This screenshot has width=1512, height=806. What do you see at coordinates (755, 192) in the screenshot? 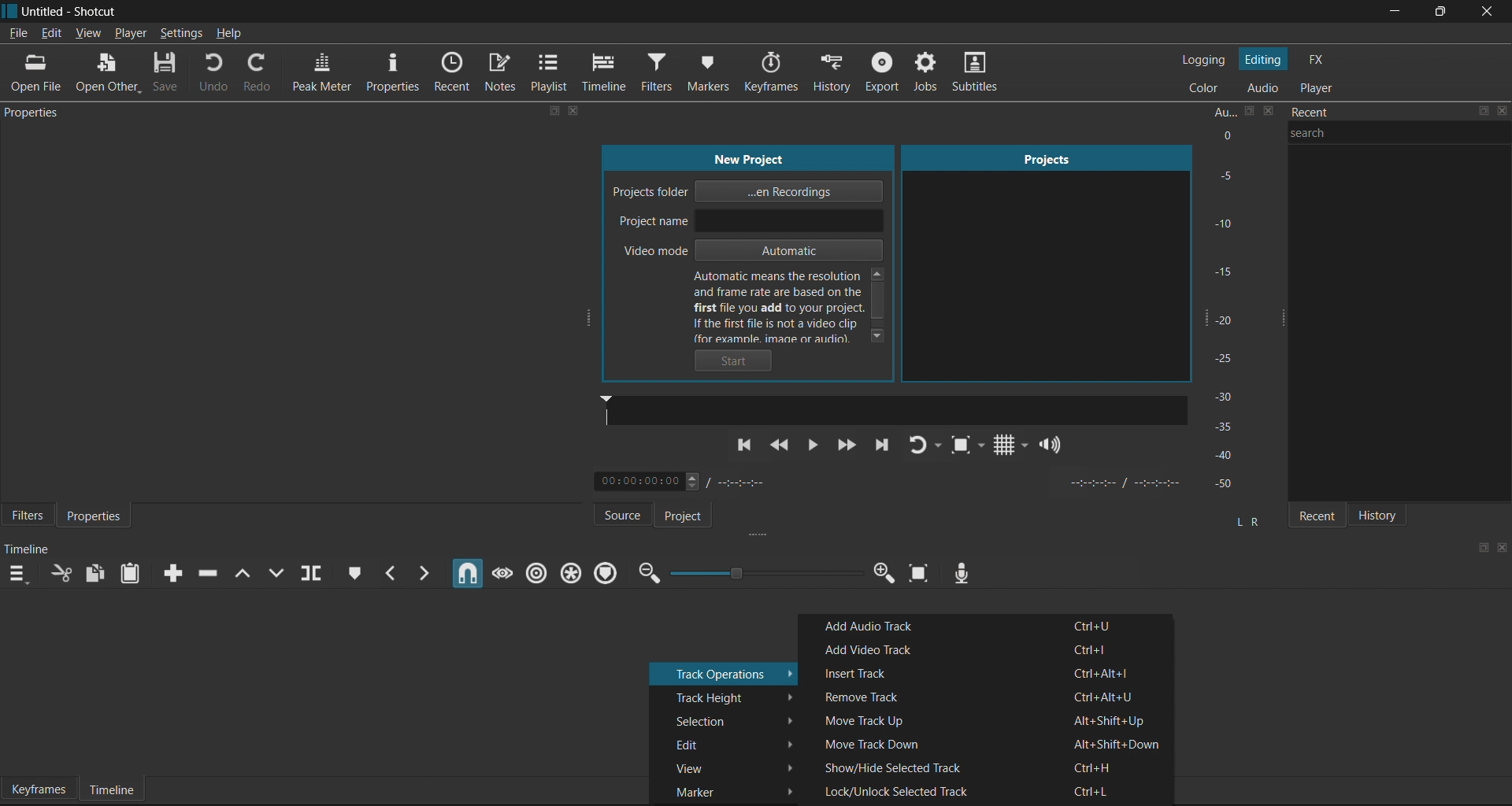
I see `Project folder` at bounding box center [755, 192].